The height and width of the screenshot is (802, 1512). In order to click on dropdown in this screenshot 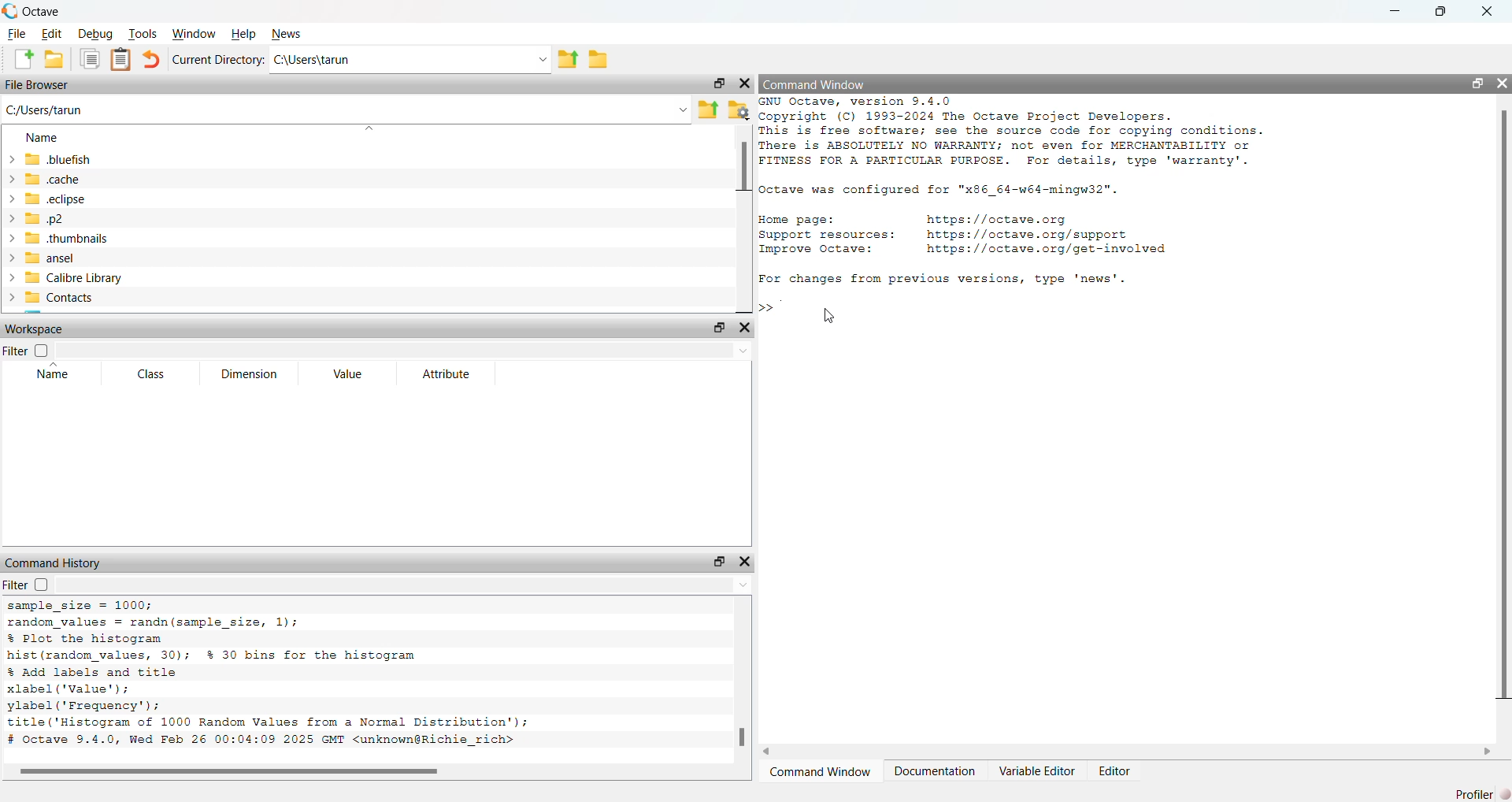, I will do `click(682, 110)`.